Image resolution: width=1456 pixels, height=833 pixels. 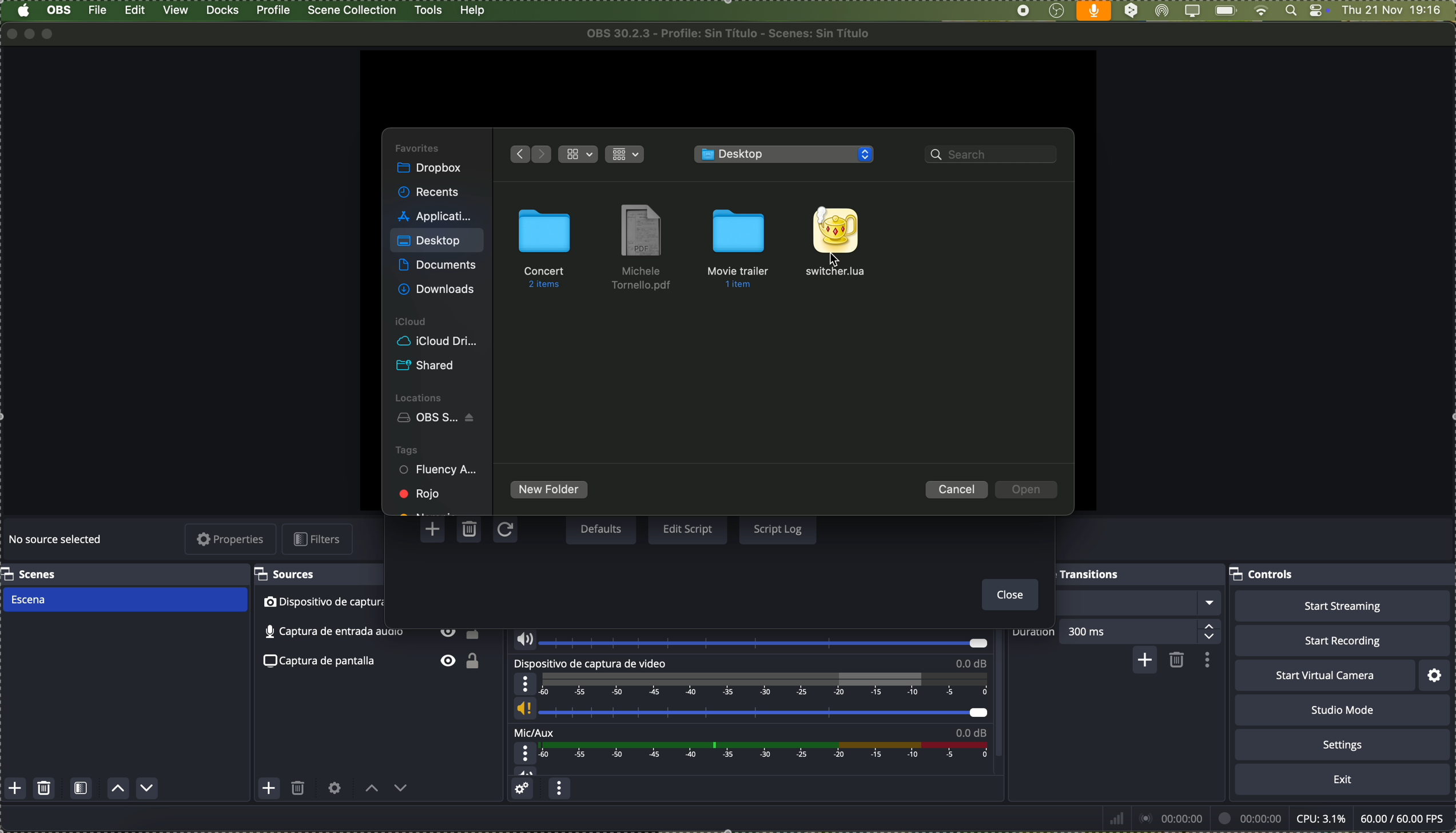 What do you see at coordinates (1139, 603) in the screenshot?
I see `fade` at bounding box center [1139, 603].